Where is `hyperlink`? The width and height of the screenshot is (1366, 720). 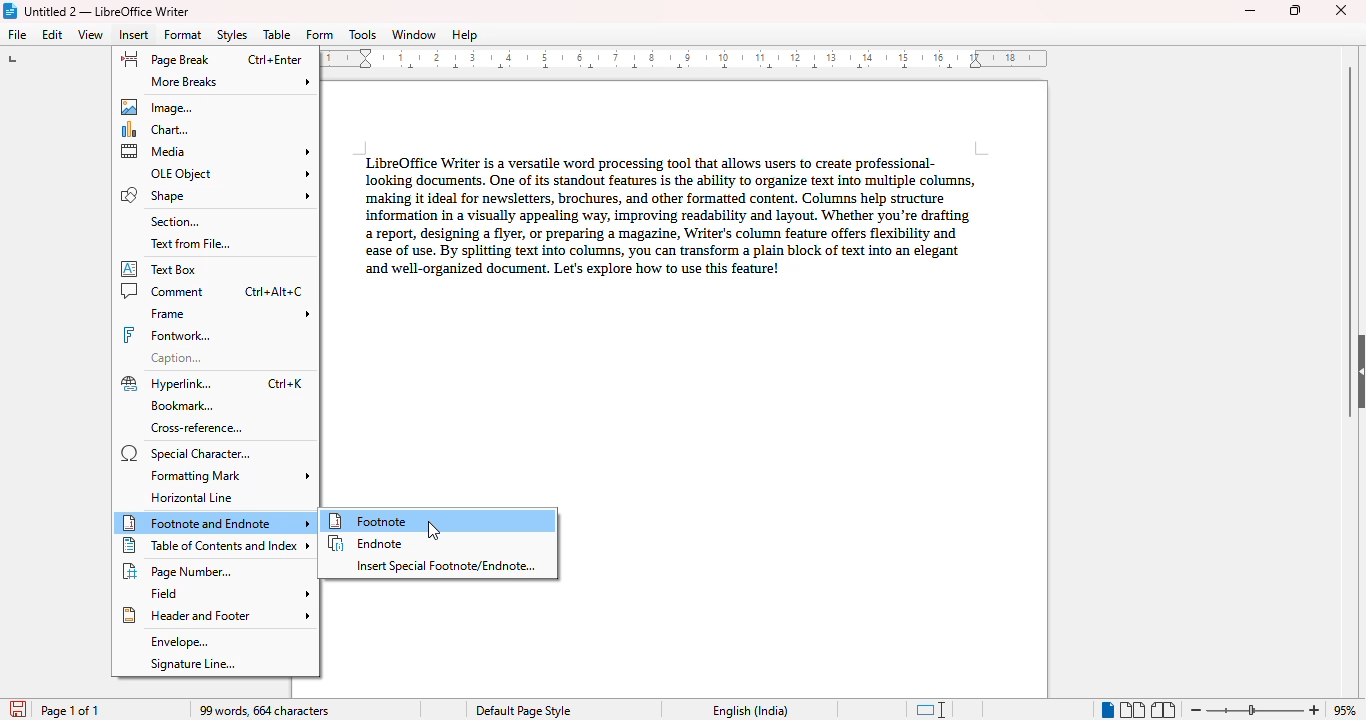
hyperlink is located at coordinates (212, 384).